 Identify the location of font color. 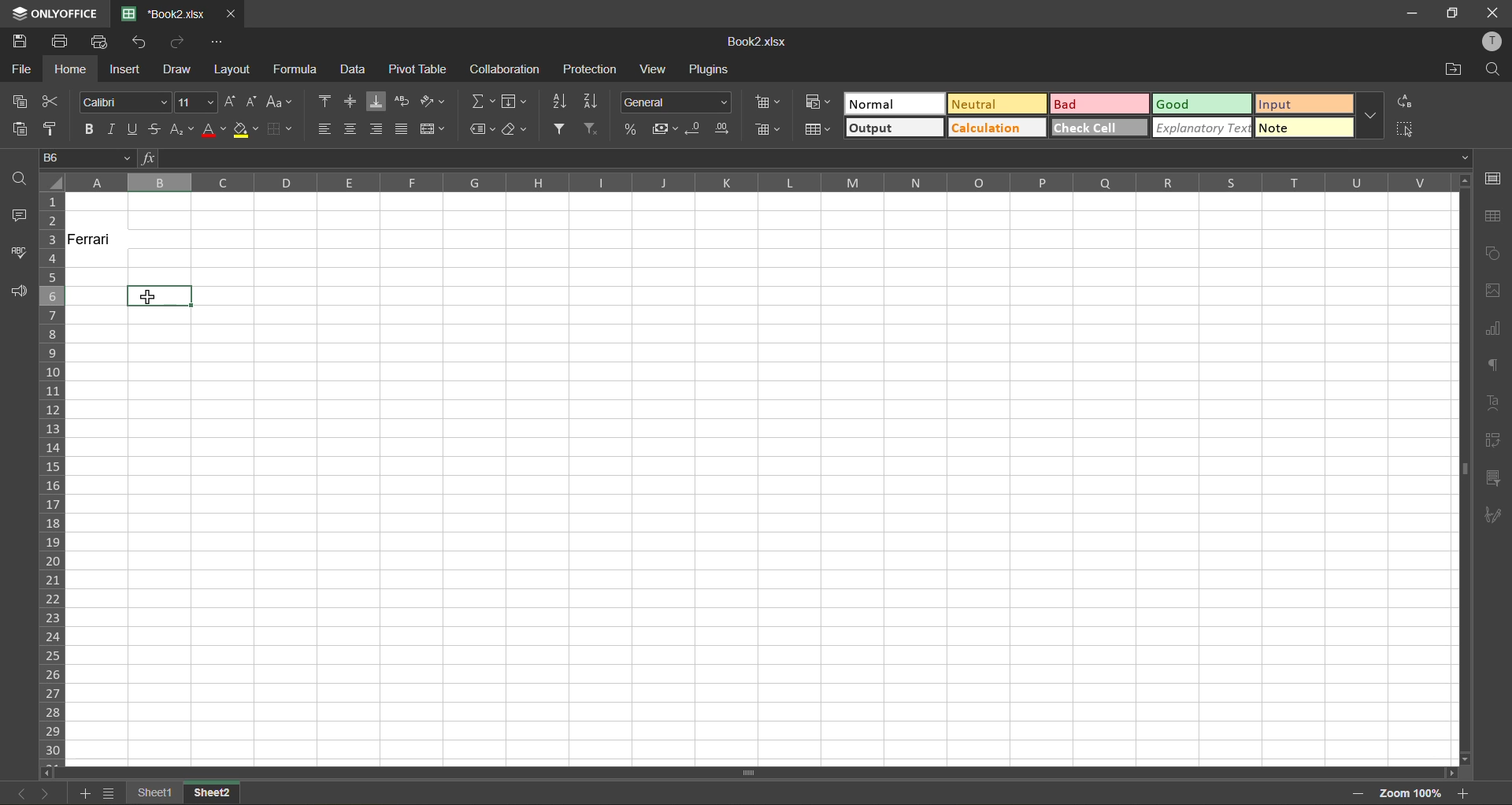
(213, 130).